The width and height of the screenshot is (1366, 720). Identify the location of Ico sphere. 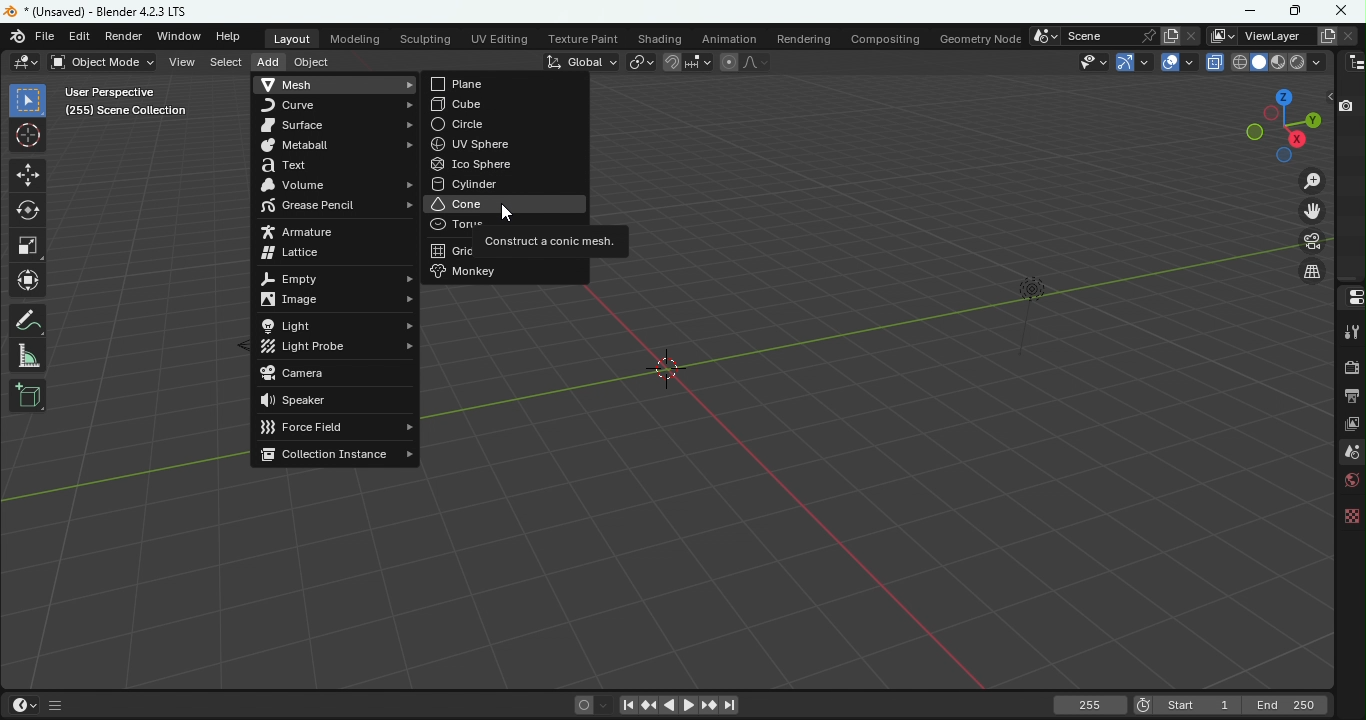
(504, 163).